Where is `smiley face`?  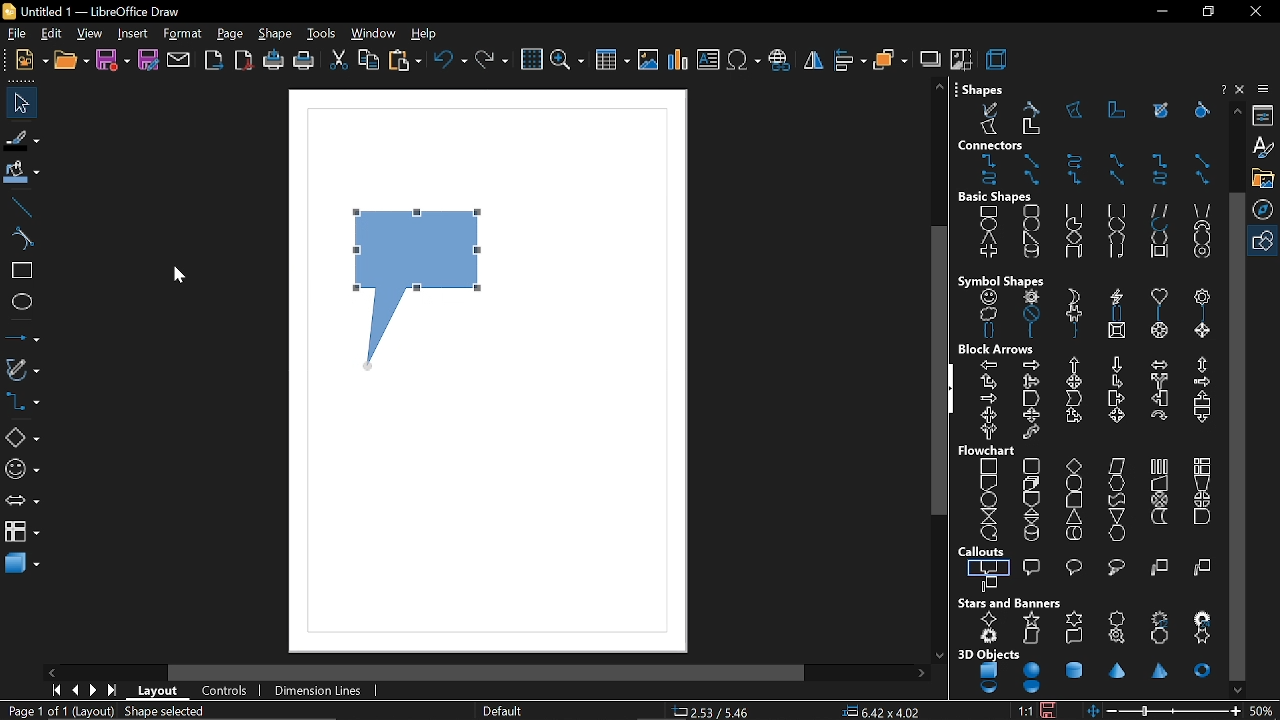
smiley face is located at coordinates (989, 298).